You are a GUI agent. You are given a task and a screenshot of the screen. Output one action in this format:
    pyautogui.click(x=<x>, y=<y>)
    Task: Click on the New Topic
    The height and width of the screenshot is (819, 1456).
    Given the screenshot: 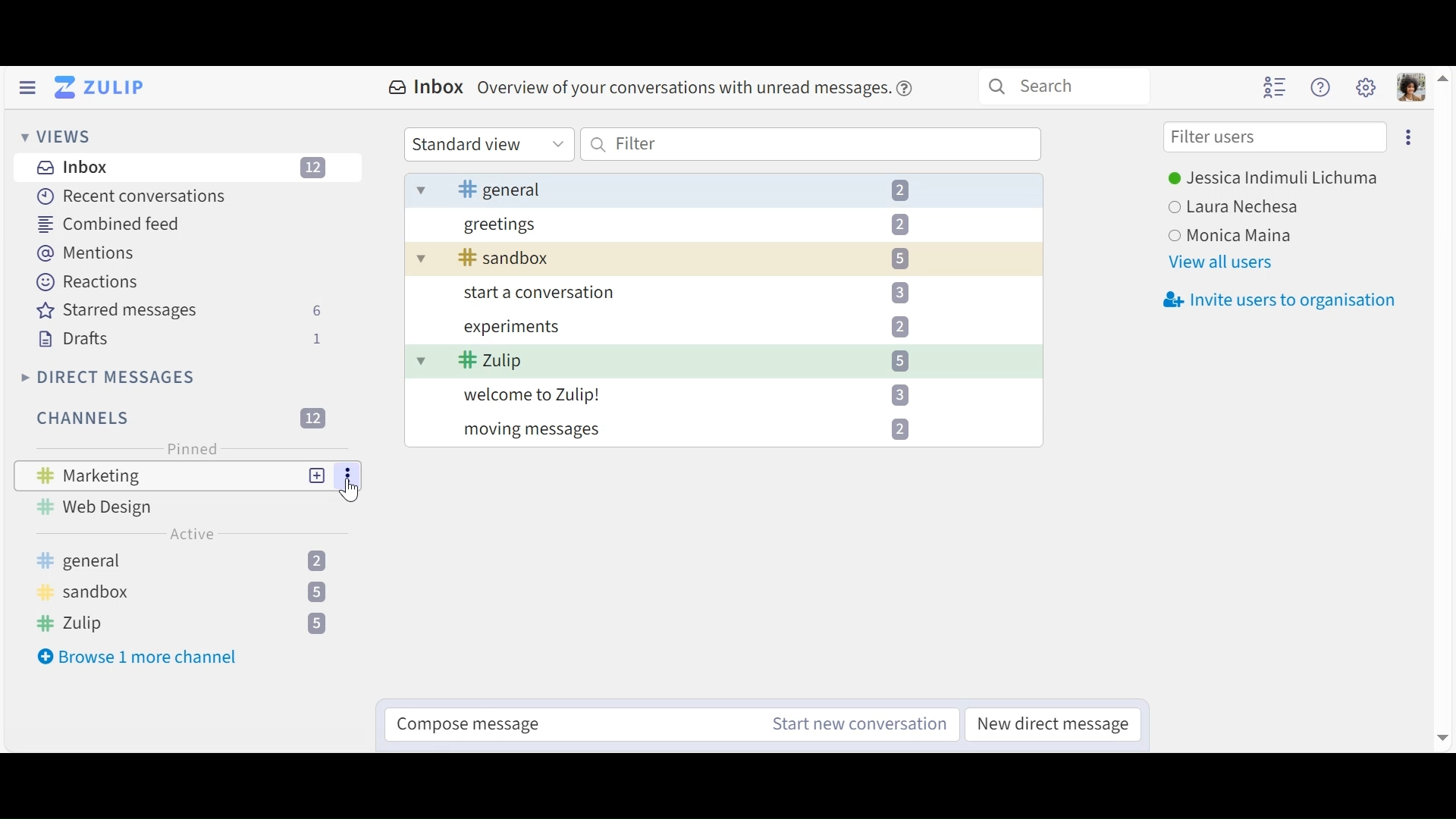 What is the action you would take?
    pyautogui.click(x=318, y=476)
    